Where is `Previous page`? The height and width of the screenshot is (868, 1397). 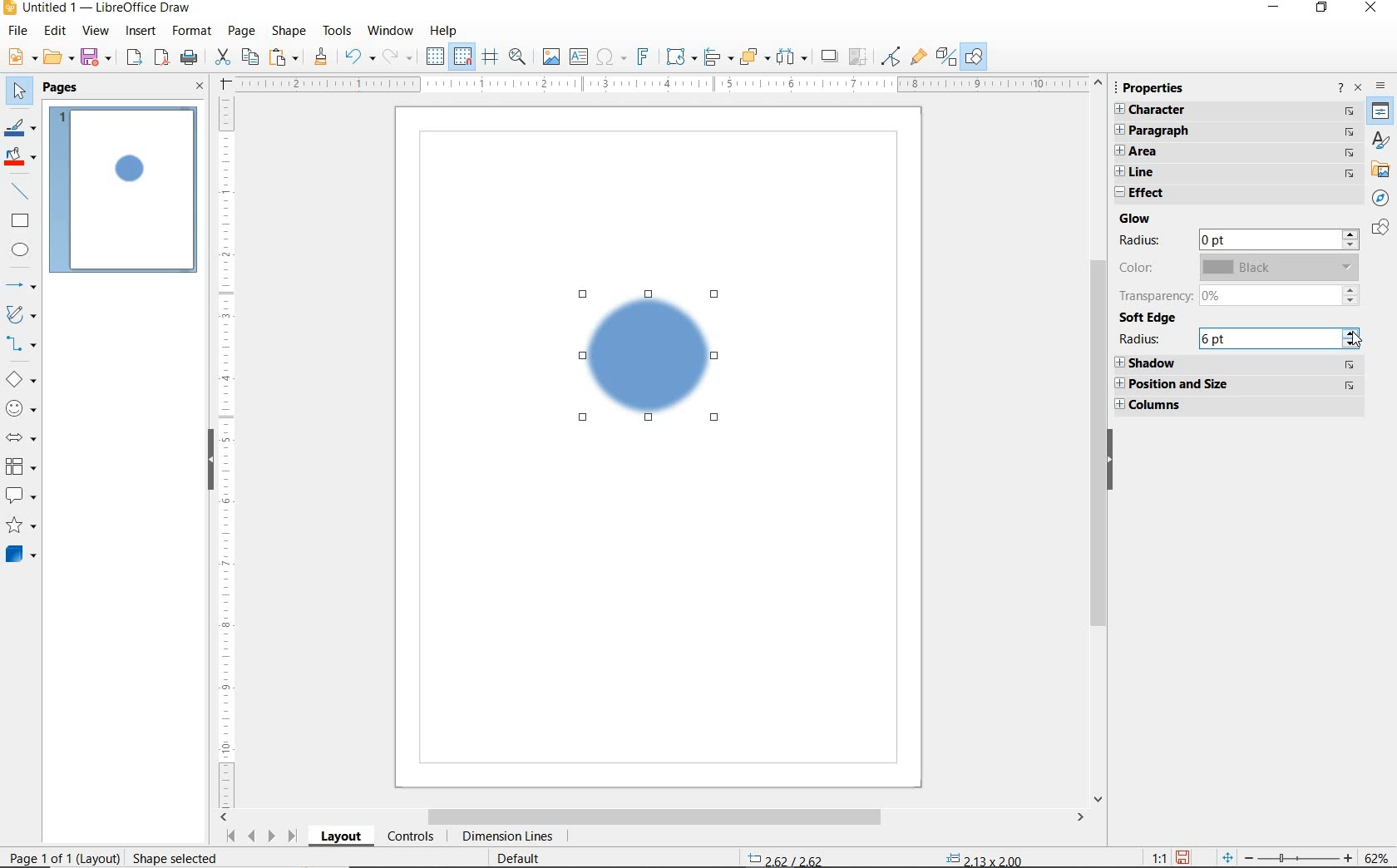 Previous page is located at coordinates (252, 837).